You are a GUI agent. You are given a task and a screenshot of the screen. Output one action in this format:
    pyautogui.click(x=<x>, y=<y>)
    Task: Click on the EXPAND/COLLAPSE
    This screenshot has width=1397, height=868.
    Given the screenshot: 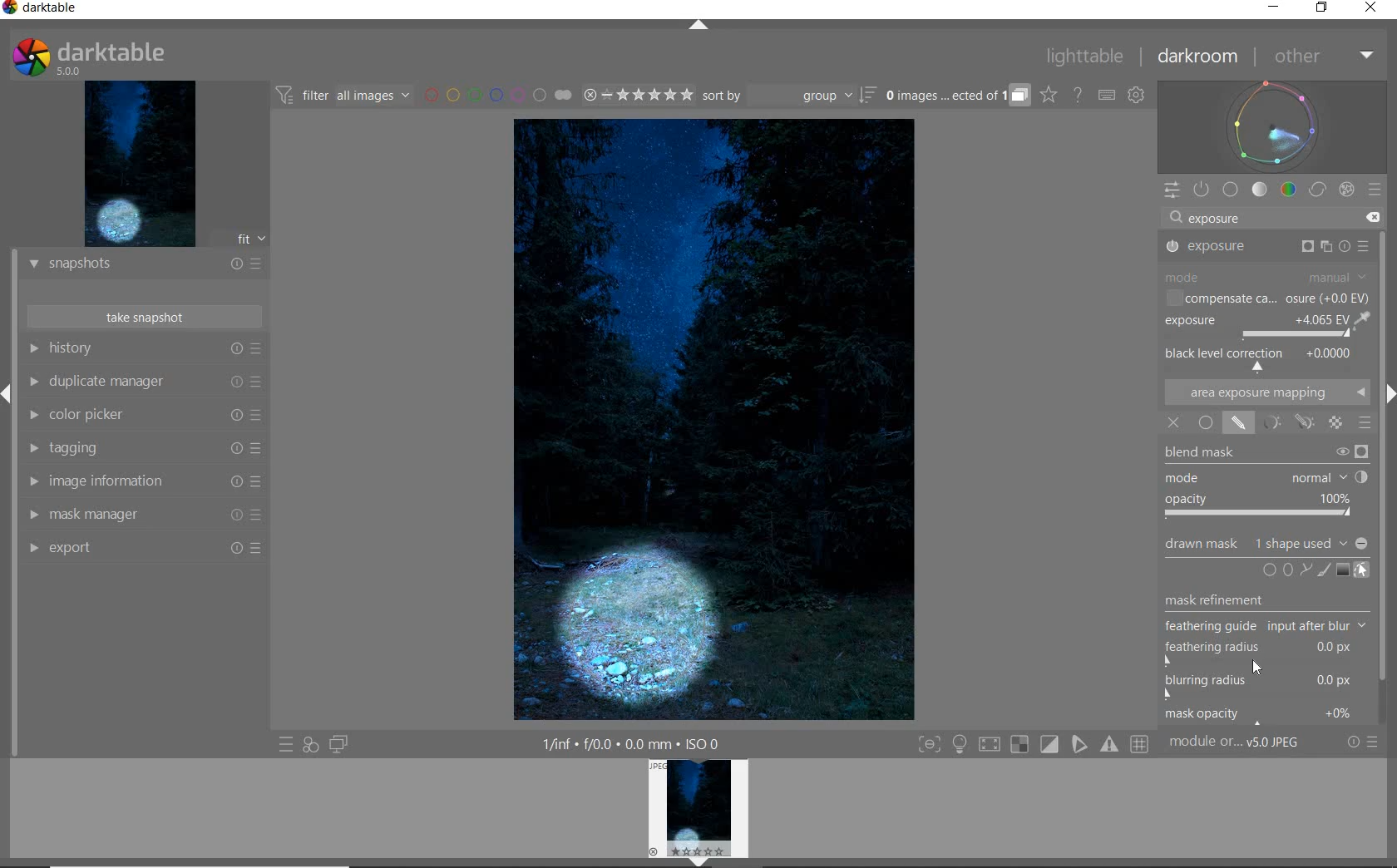 What is the action you would take?
    pyautogui.click(x=699, y=26)
    